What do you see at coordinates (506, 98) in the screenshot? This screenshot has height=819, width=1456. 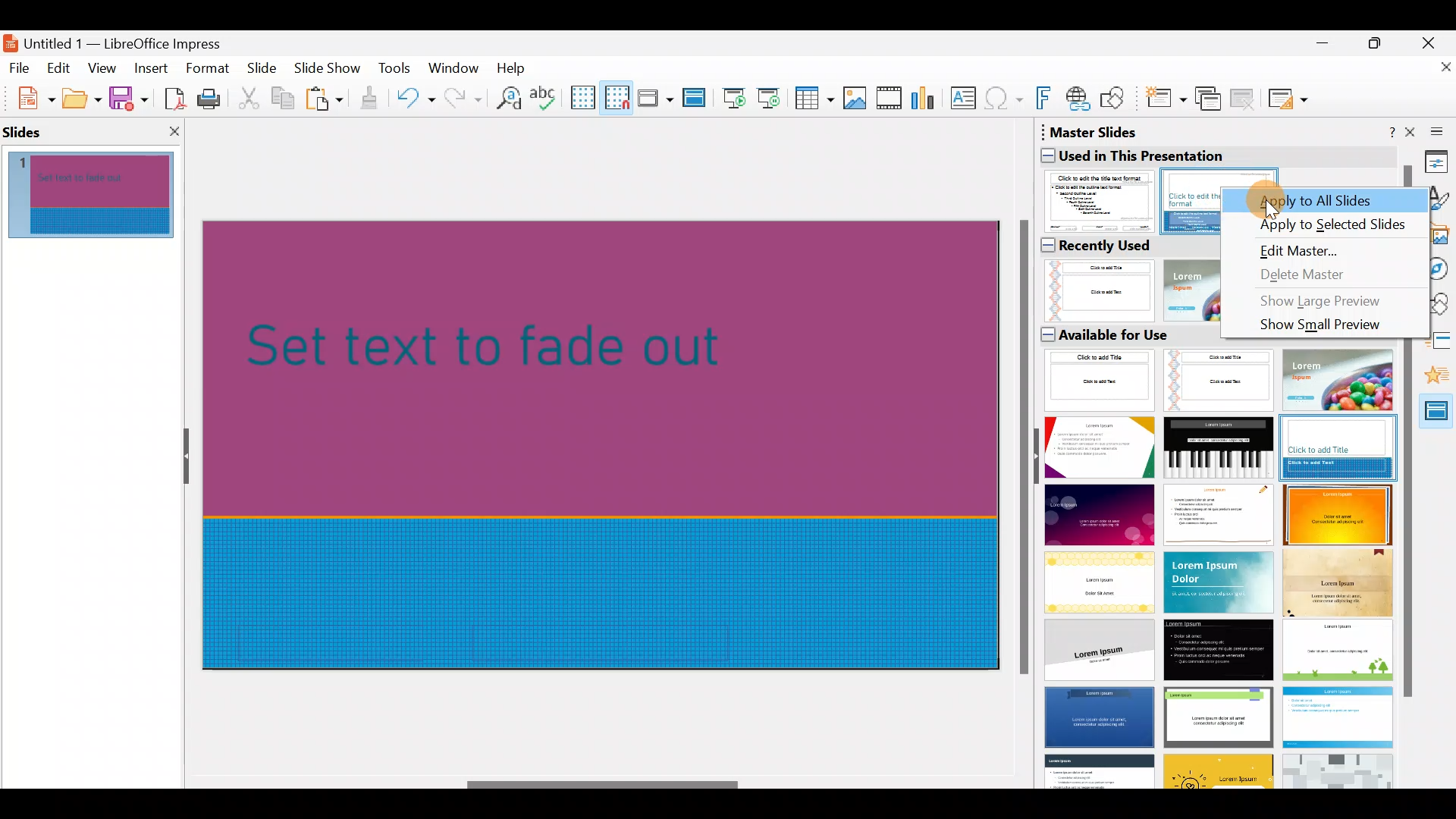 I see `Find and replace` at bounding box center [506, 98].